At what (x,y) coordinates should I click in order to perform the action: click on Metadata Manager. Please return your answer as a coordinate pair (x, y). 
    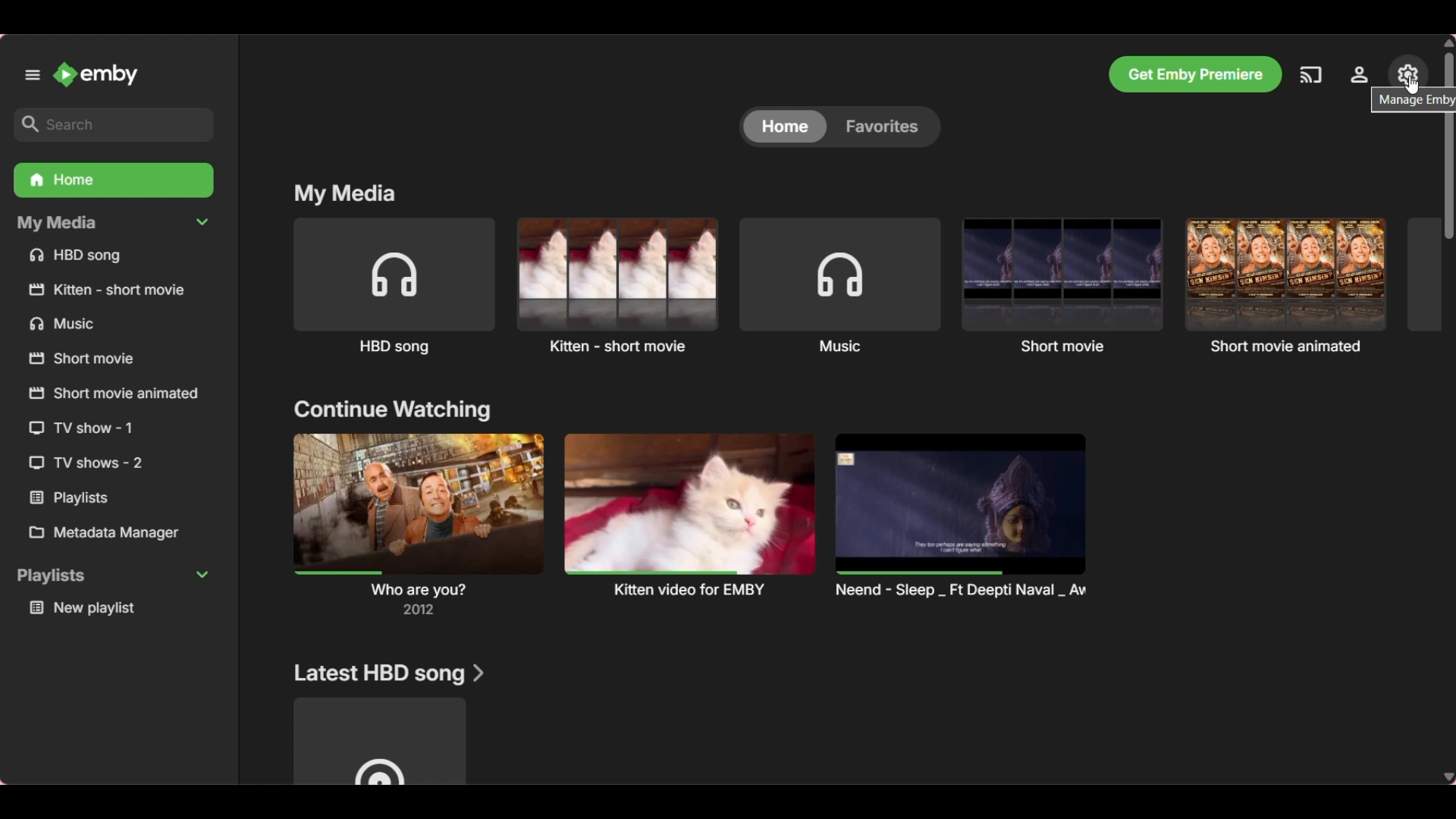
    Looking at the image, I should click on (114, 533).